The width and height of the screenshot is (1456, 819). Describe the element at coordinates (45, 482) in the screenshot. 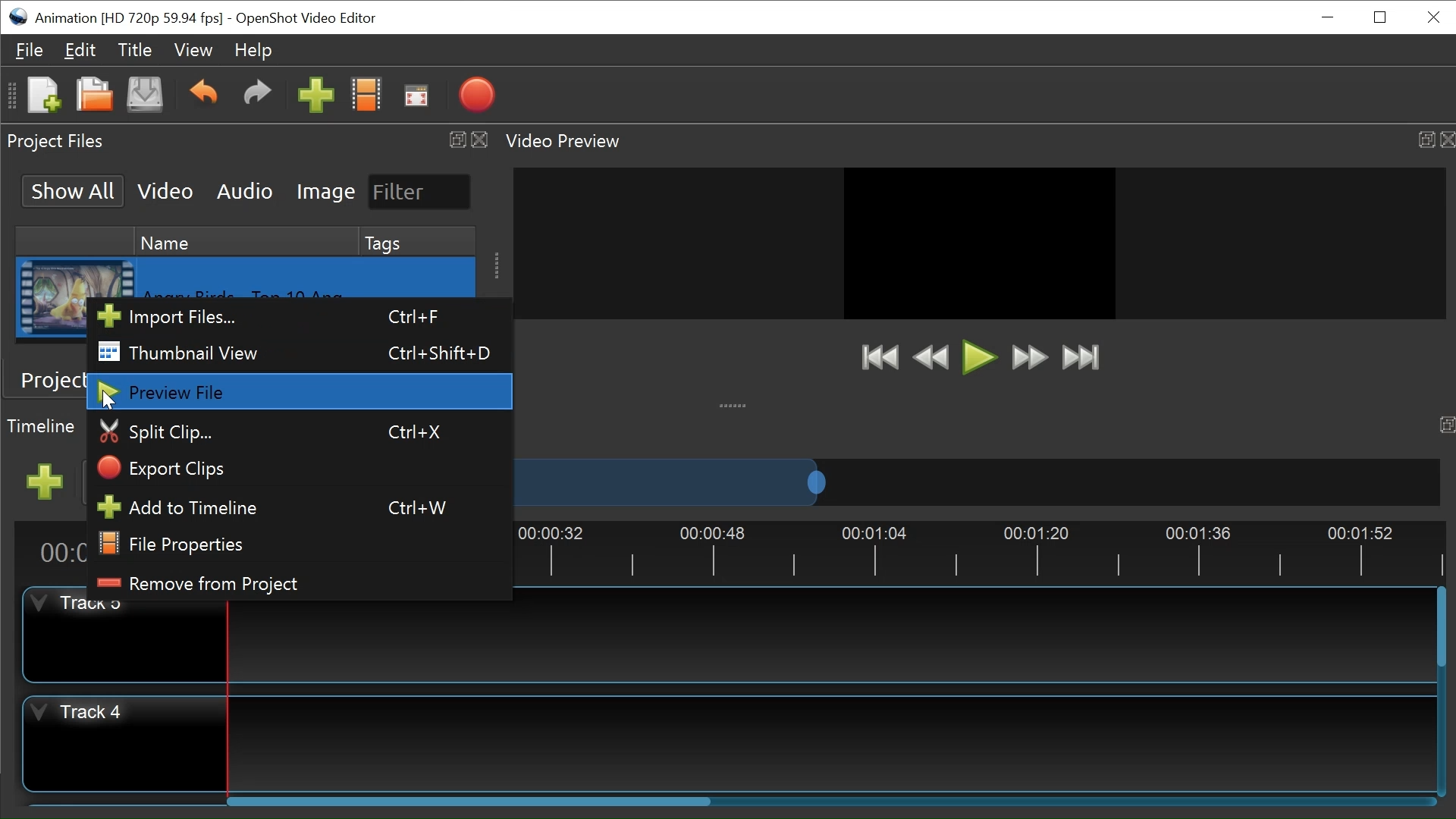

I see `Add Track` at that location.